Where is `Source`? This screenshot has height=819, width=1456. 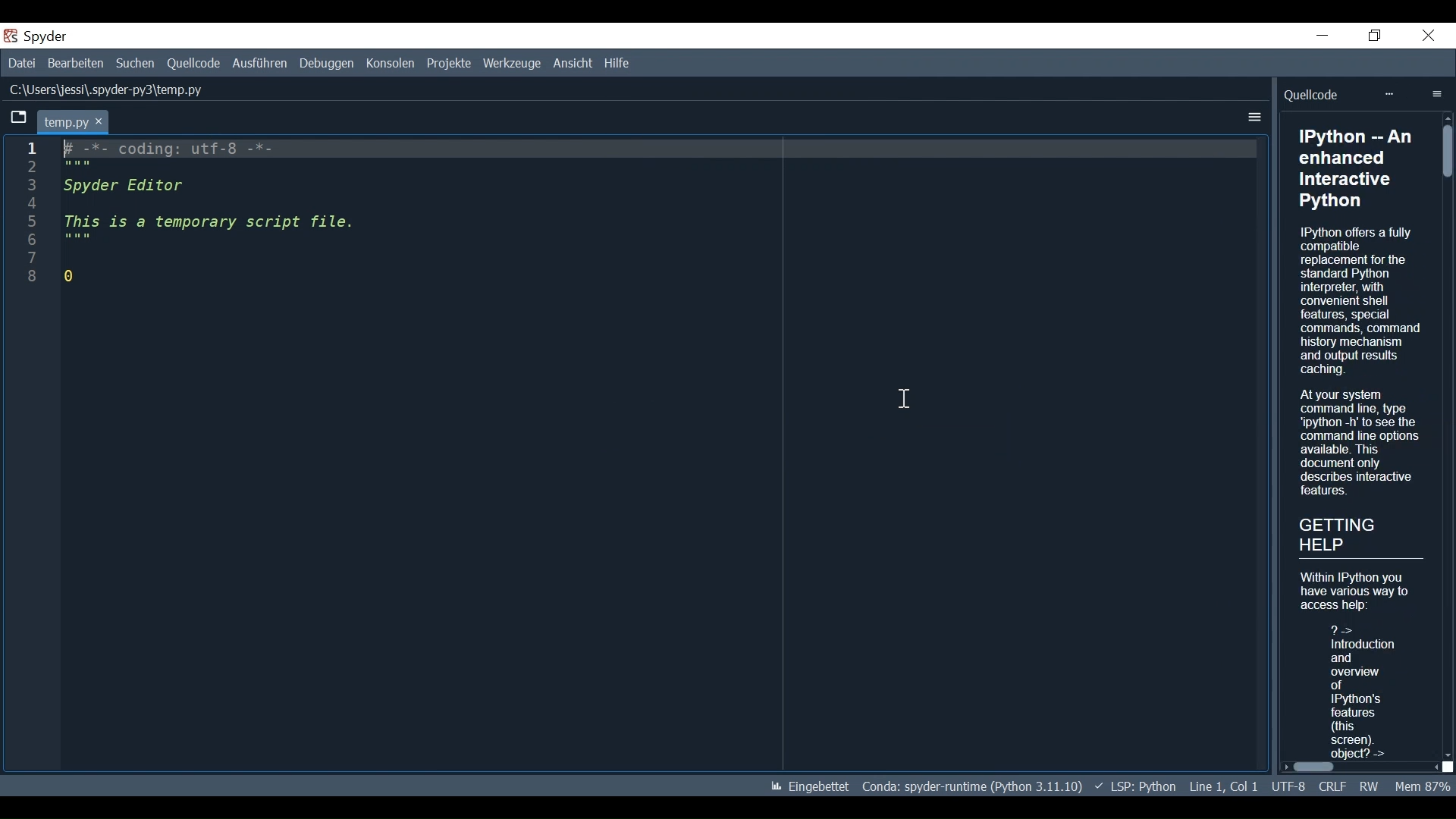 Source is located at coordinates (193, 64).